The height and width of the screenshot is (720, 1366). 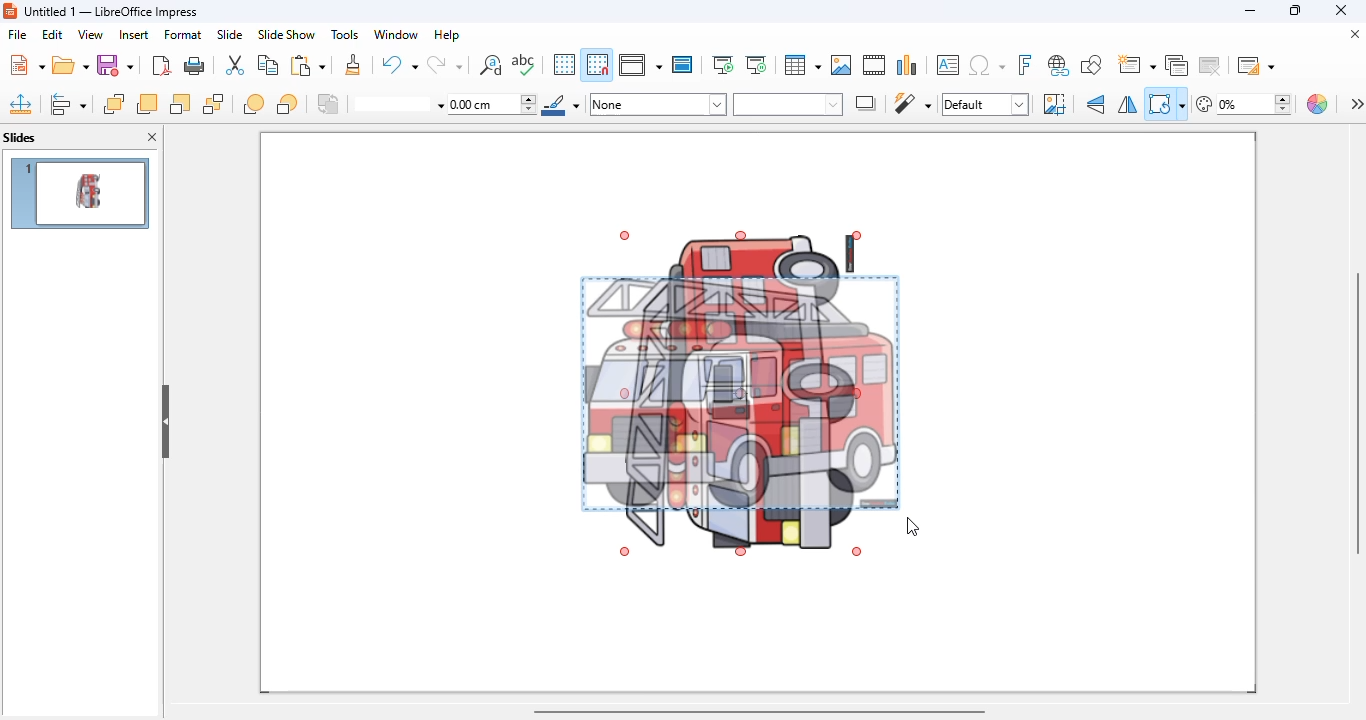 I want to click on master slide, so click(x=683, y=64).